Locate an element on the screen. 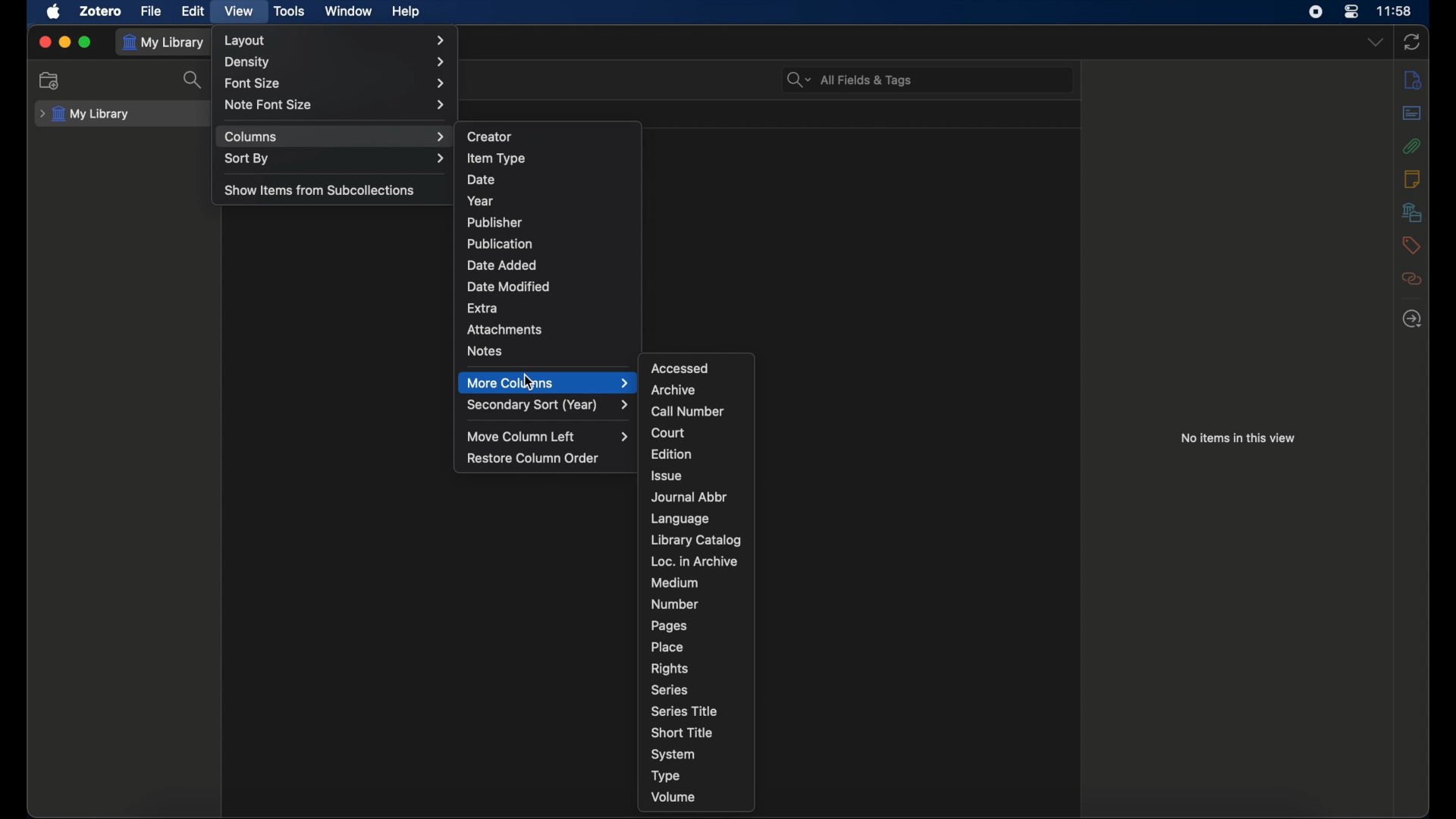 This screenshot has height=819, width=1456. move column left is located at coordinates (548, 437).